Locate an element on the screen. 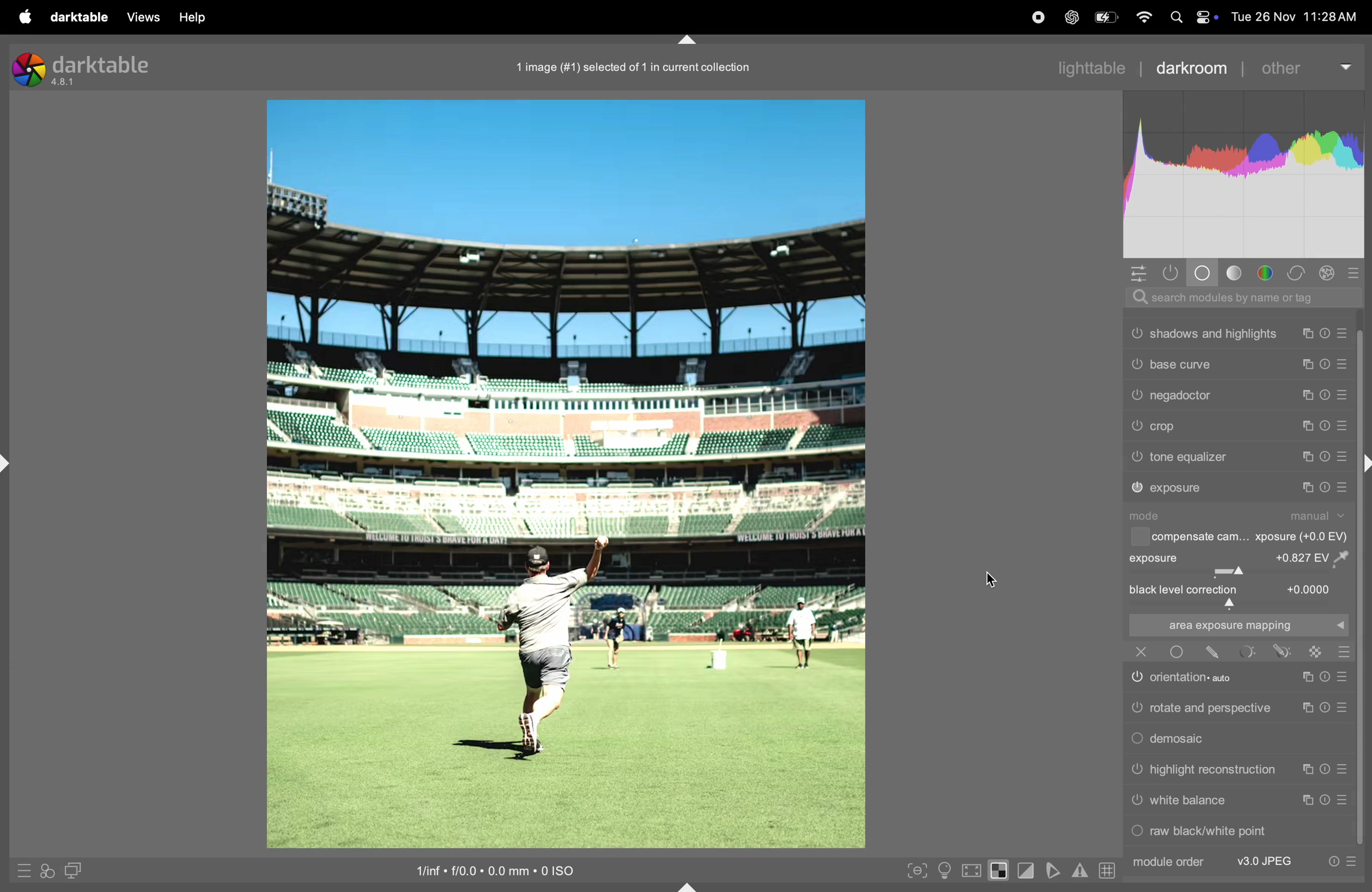 Image resolution: width=1372 pixels, height=892 pixels. area exposure mapping is located at coordinates (1237, 625).